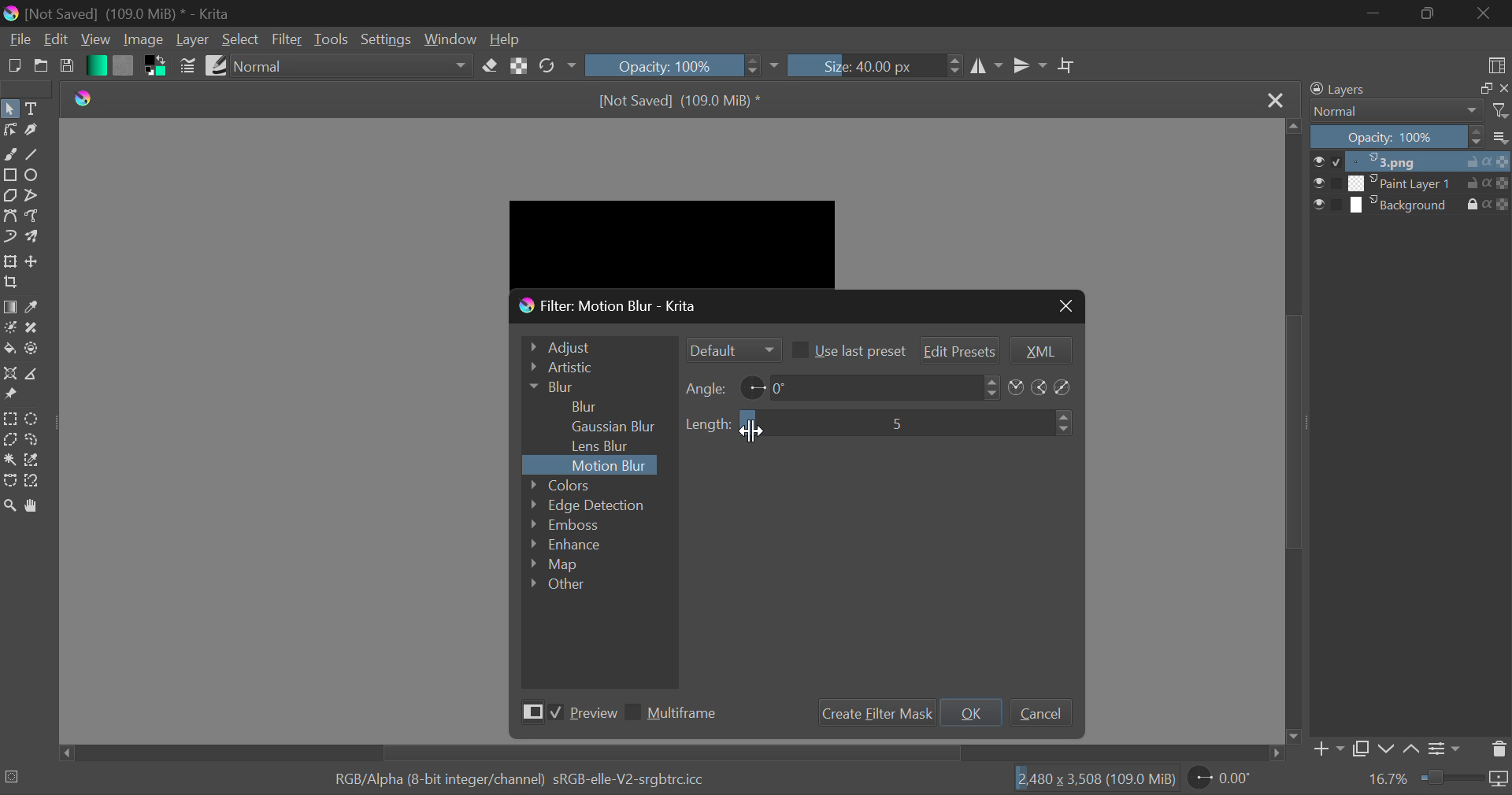 This screenshot has height=795, width=1512. Describe the element at coordinates (450, 39) in the screenshot. I see `Window` at that location.